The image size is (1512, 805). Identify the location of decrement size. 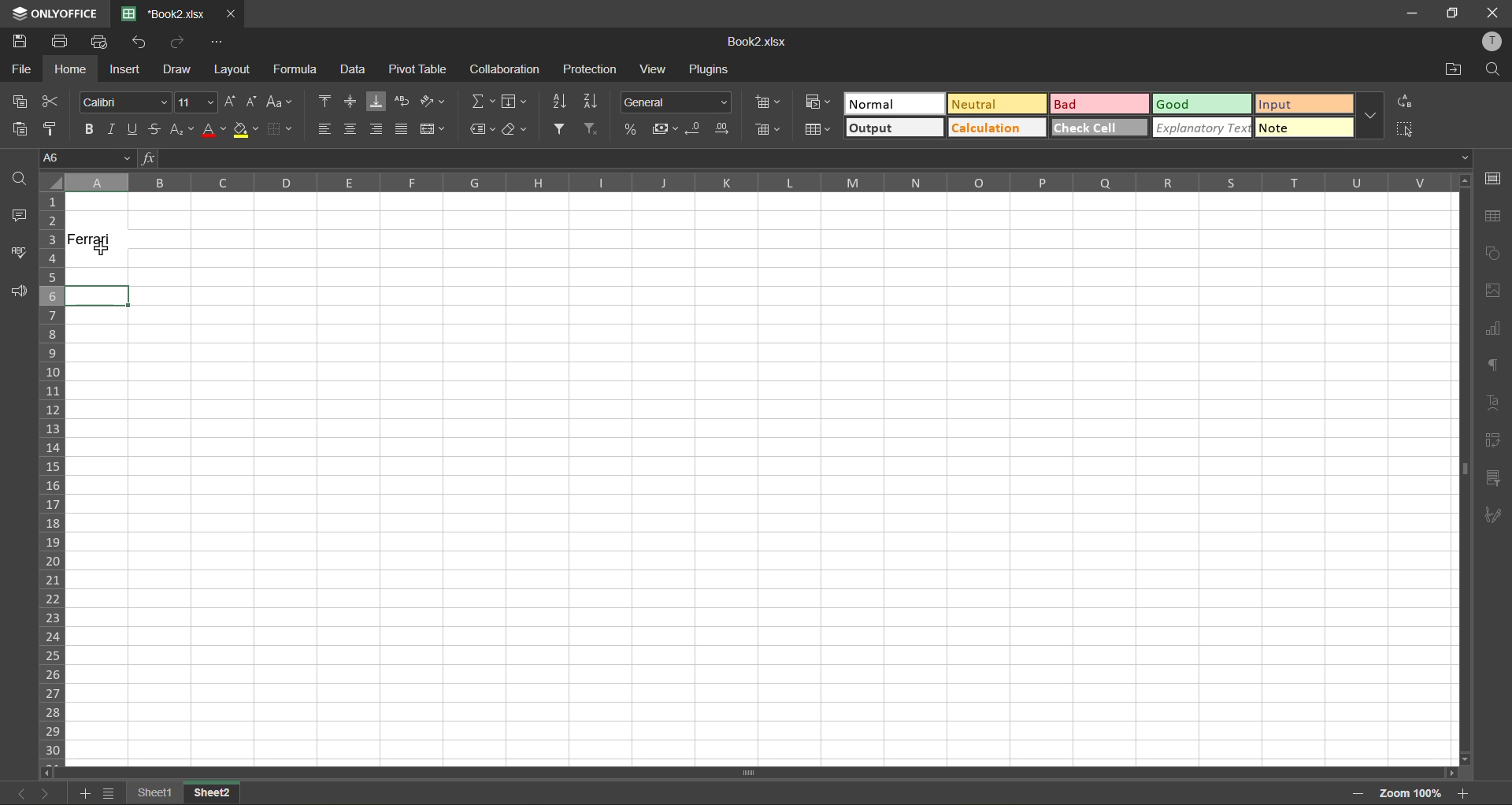
(253, 101).